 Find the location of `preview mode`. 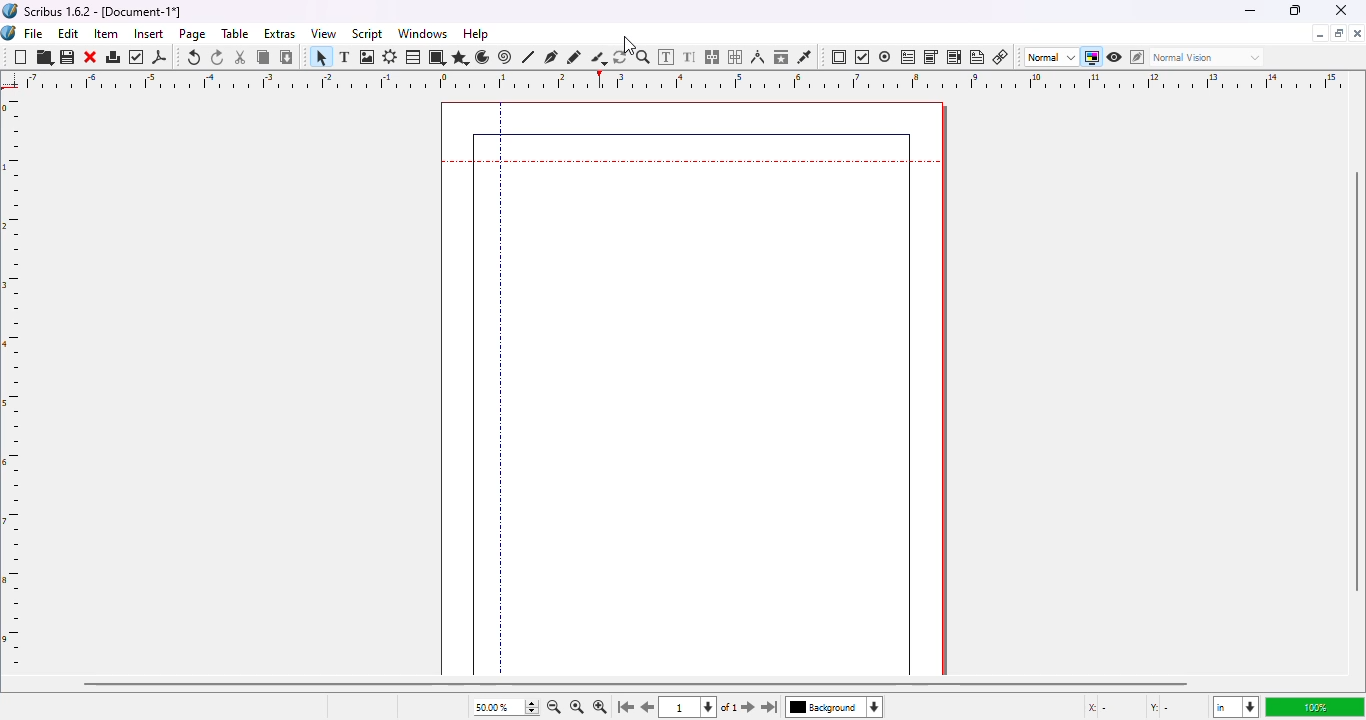

preview mode is located at coordinates (1115, 56).